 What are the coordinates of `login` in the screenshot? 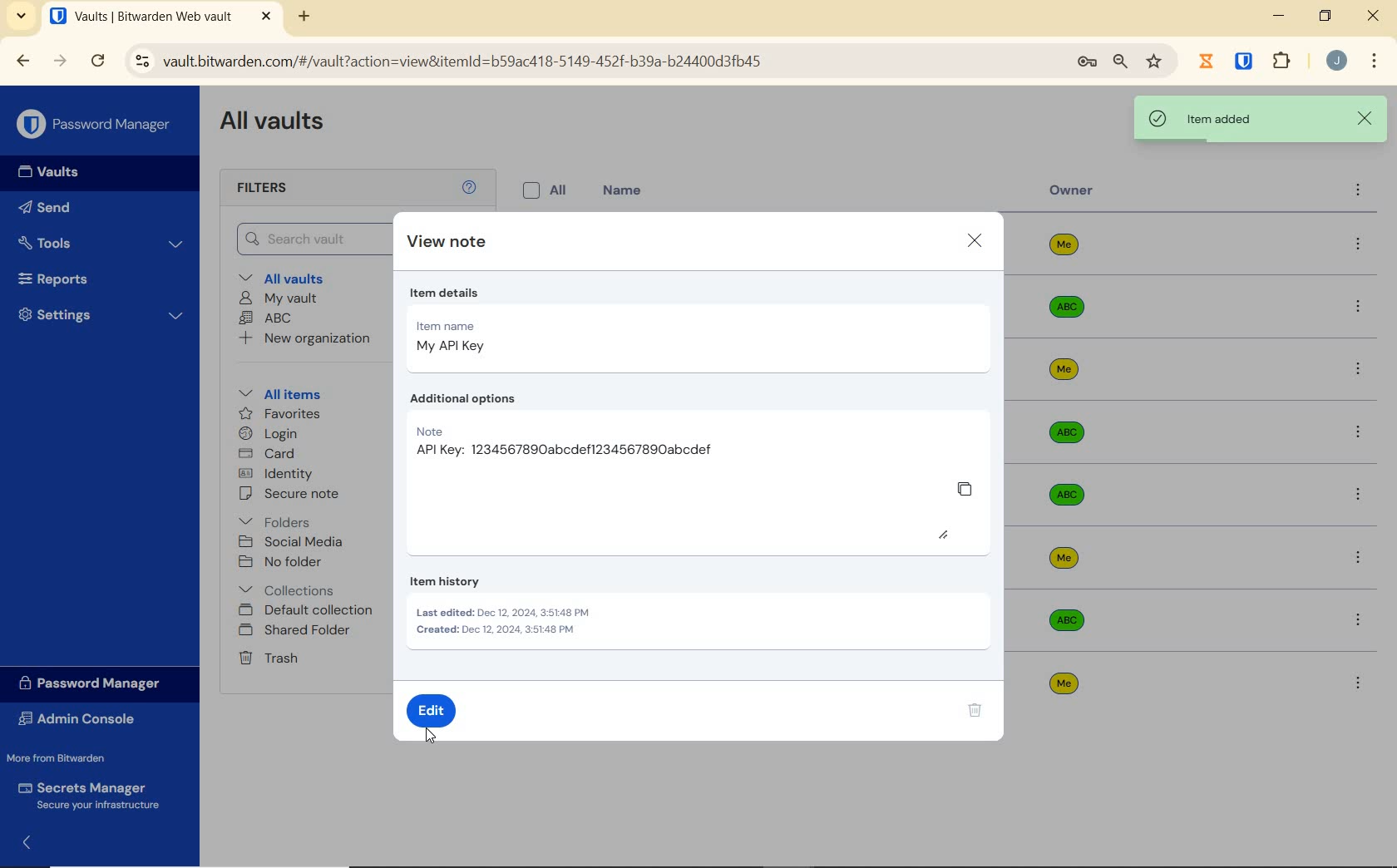 It's located at (272, 435).